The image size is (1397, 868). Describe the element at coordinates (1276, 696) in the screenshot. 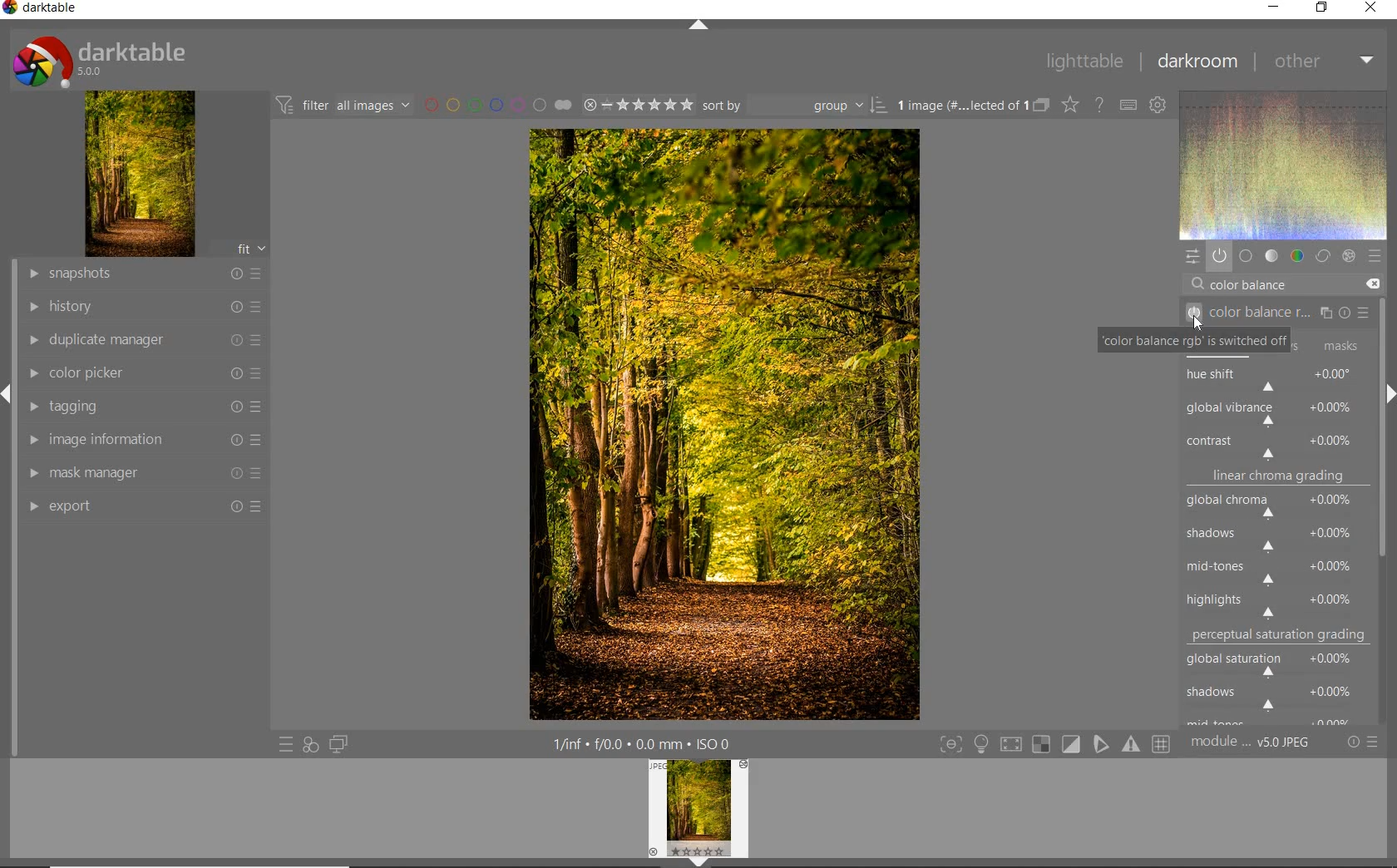

I see `shadows` at that location.